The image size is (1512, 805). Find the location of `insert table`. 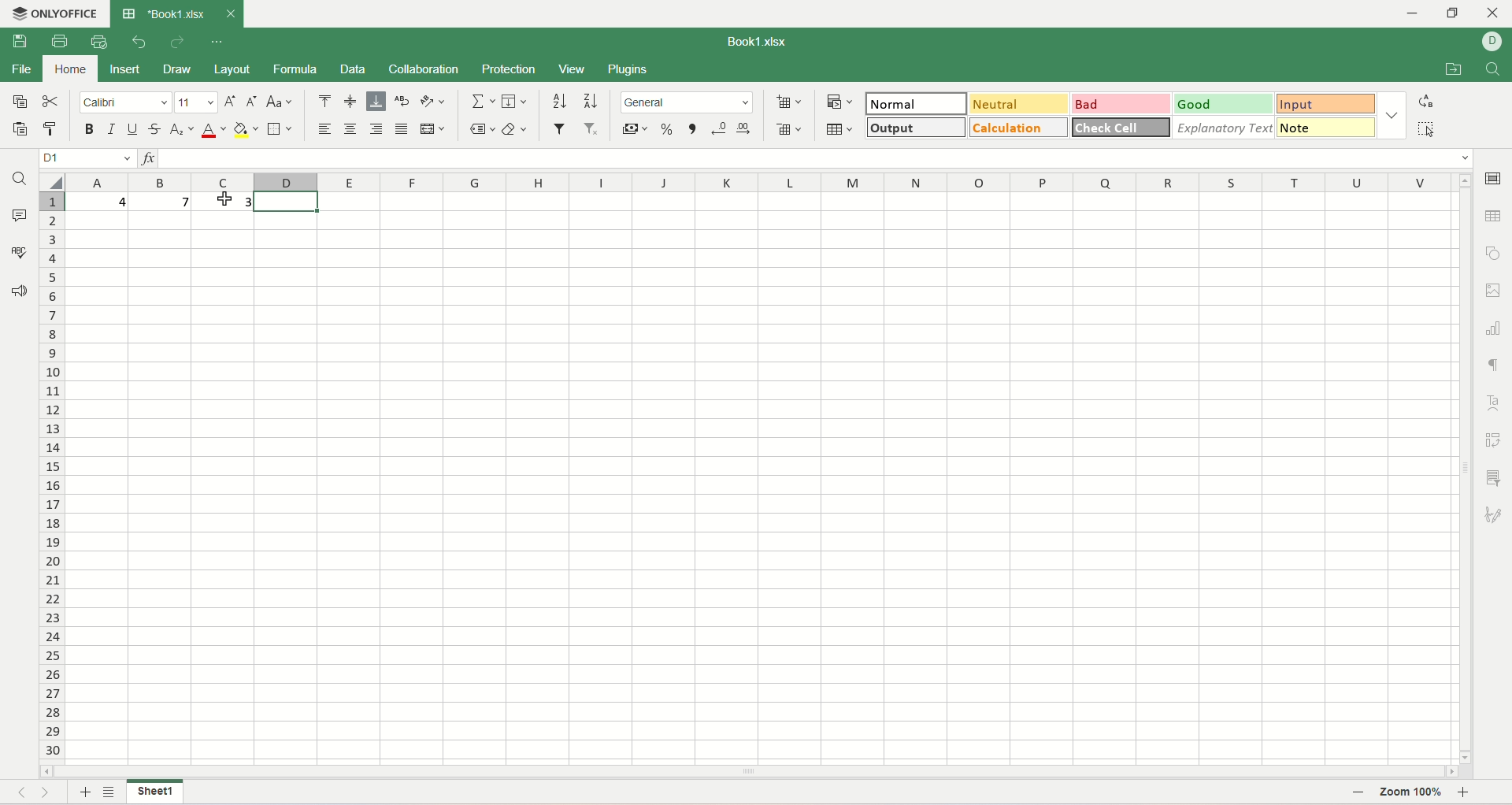

insert table is located at coordinates (839, 127).